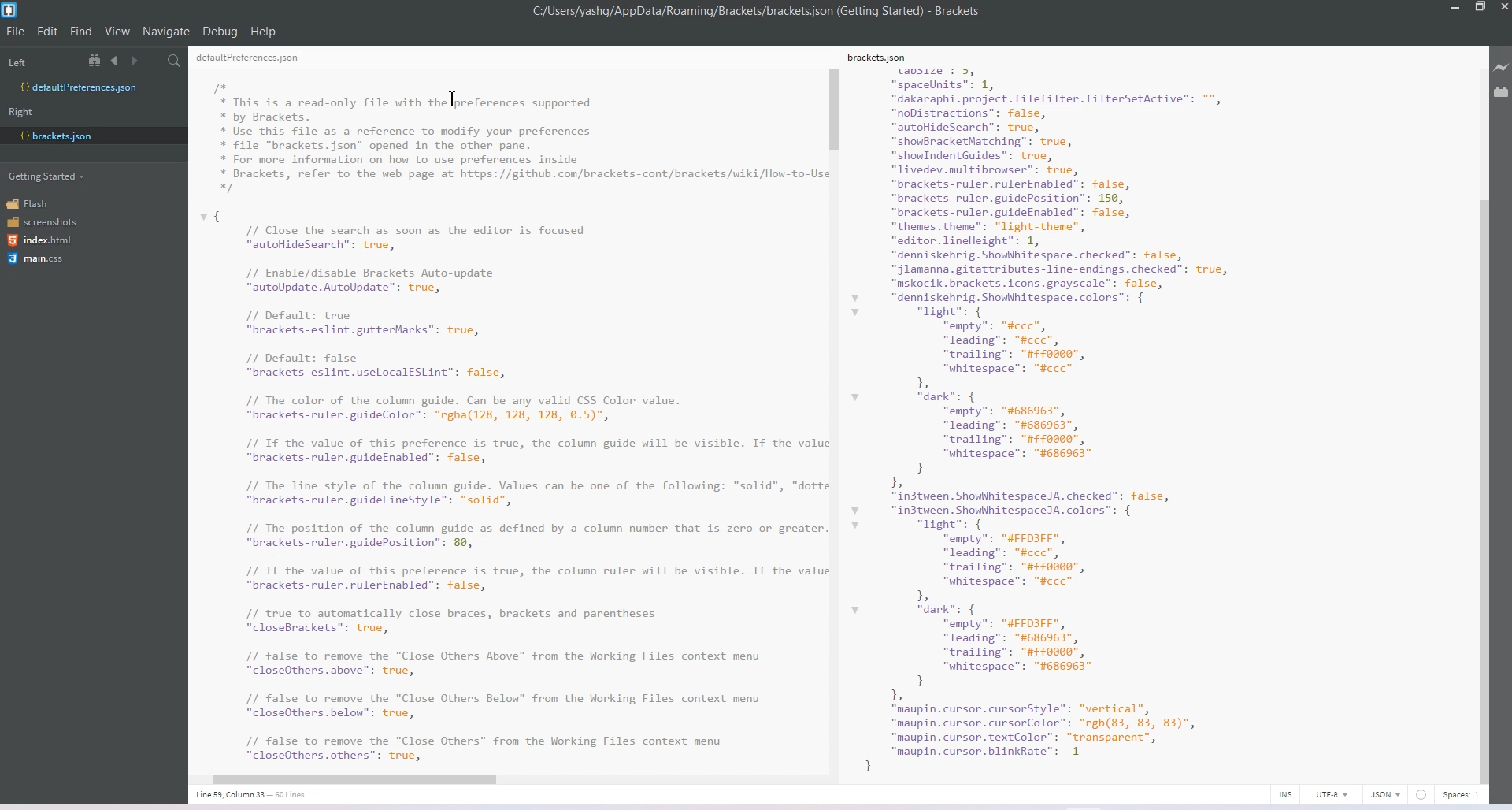 Image resolution: width=1512 pixels, height=810 pixels. What do you see at coordinates (33, 203) in the screenshot?
I see `Flash` at bounding box center [33, 203].